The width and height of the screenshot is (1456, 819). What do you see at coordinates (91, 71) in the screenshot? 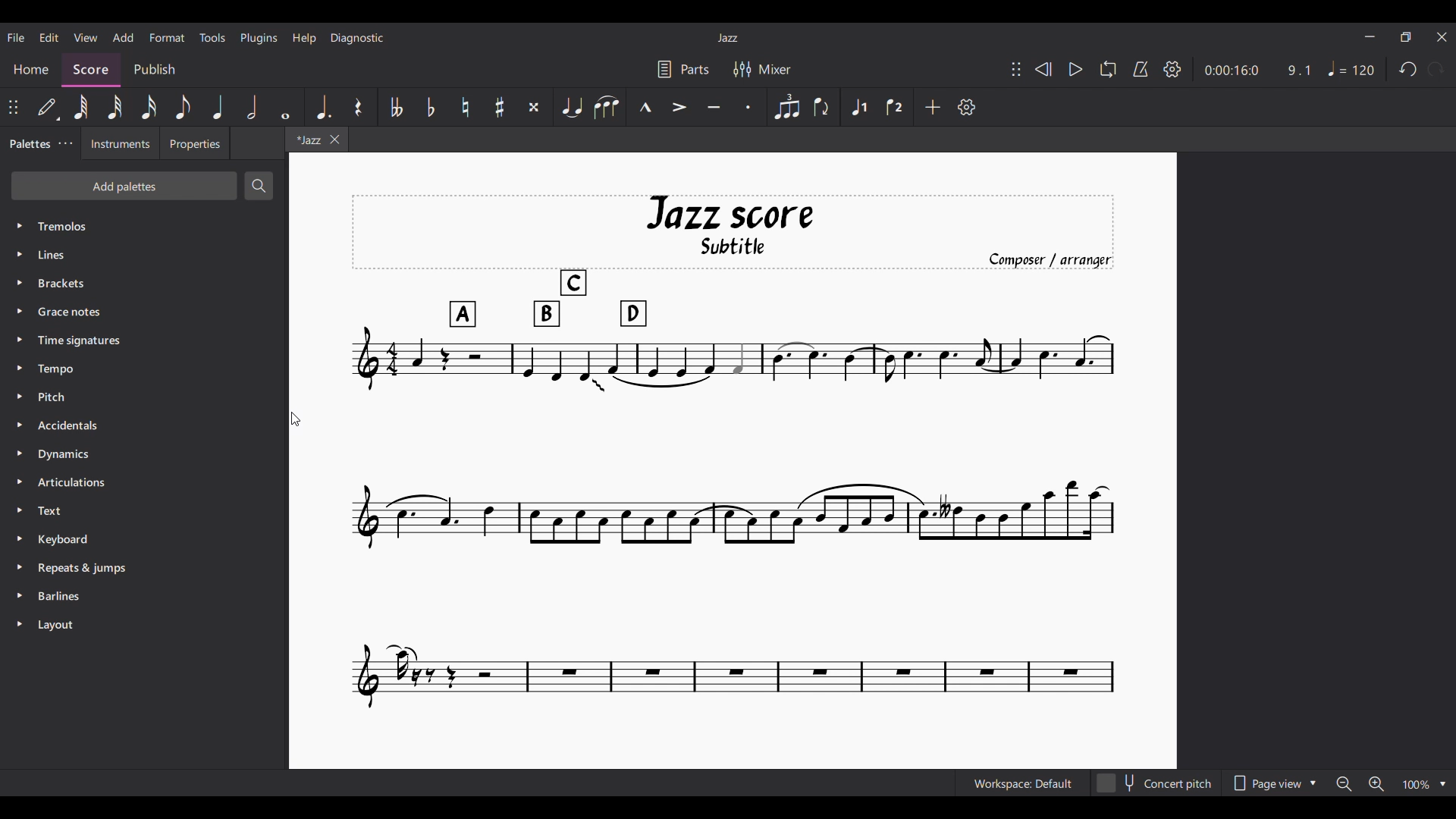
I see `Score, current section highlighted` at bounding box center [91, 71].